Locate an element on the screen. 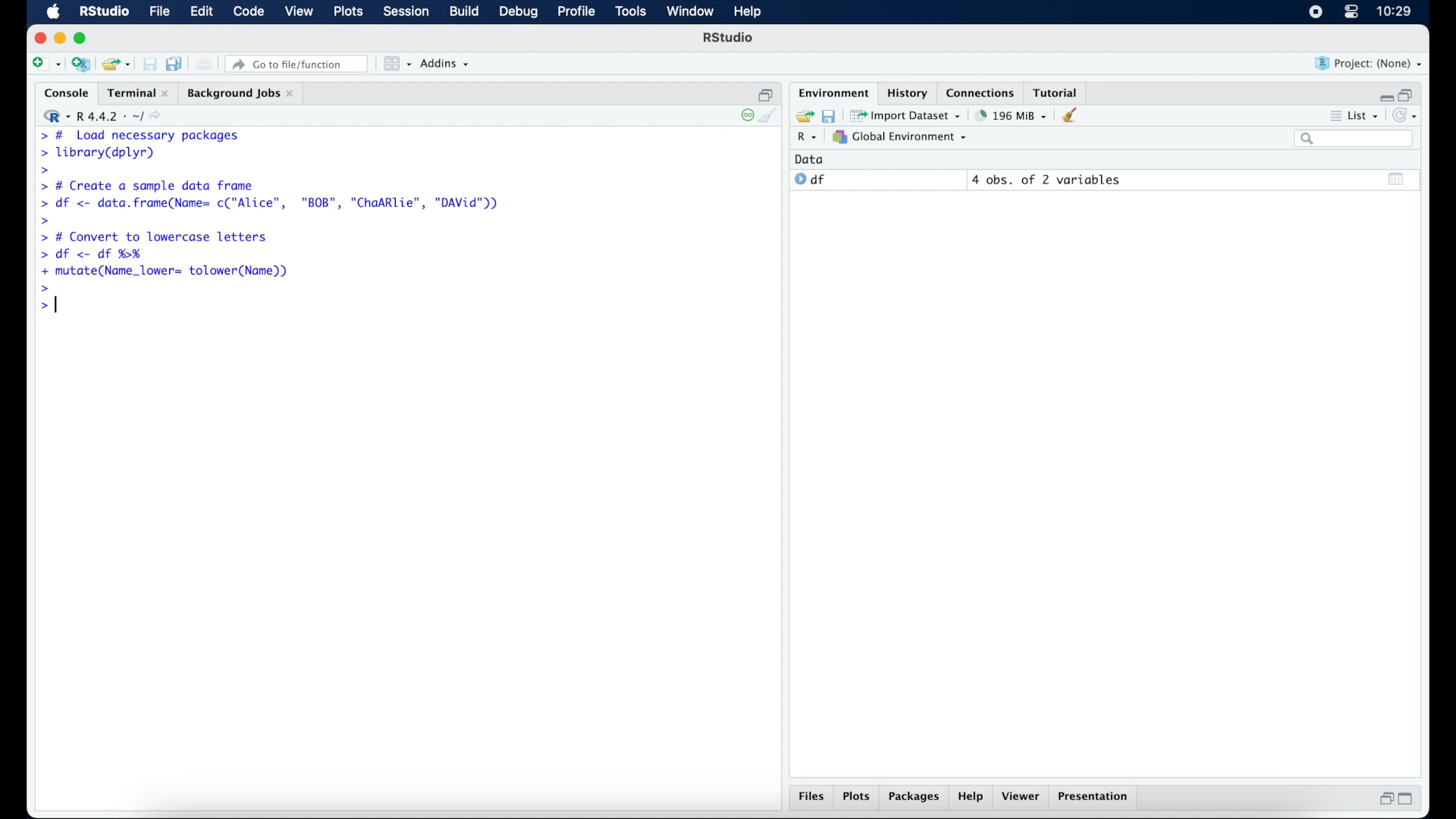 The height and width of the screenshot is (819, 1456). > df <- data.frame(Name= c("Alice", "BOB", "ChaARlie", "DAVid"))| is located at coordinates (274, 204).